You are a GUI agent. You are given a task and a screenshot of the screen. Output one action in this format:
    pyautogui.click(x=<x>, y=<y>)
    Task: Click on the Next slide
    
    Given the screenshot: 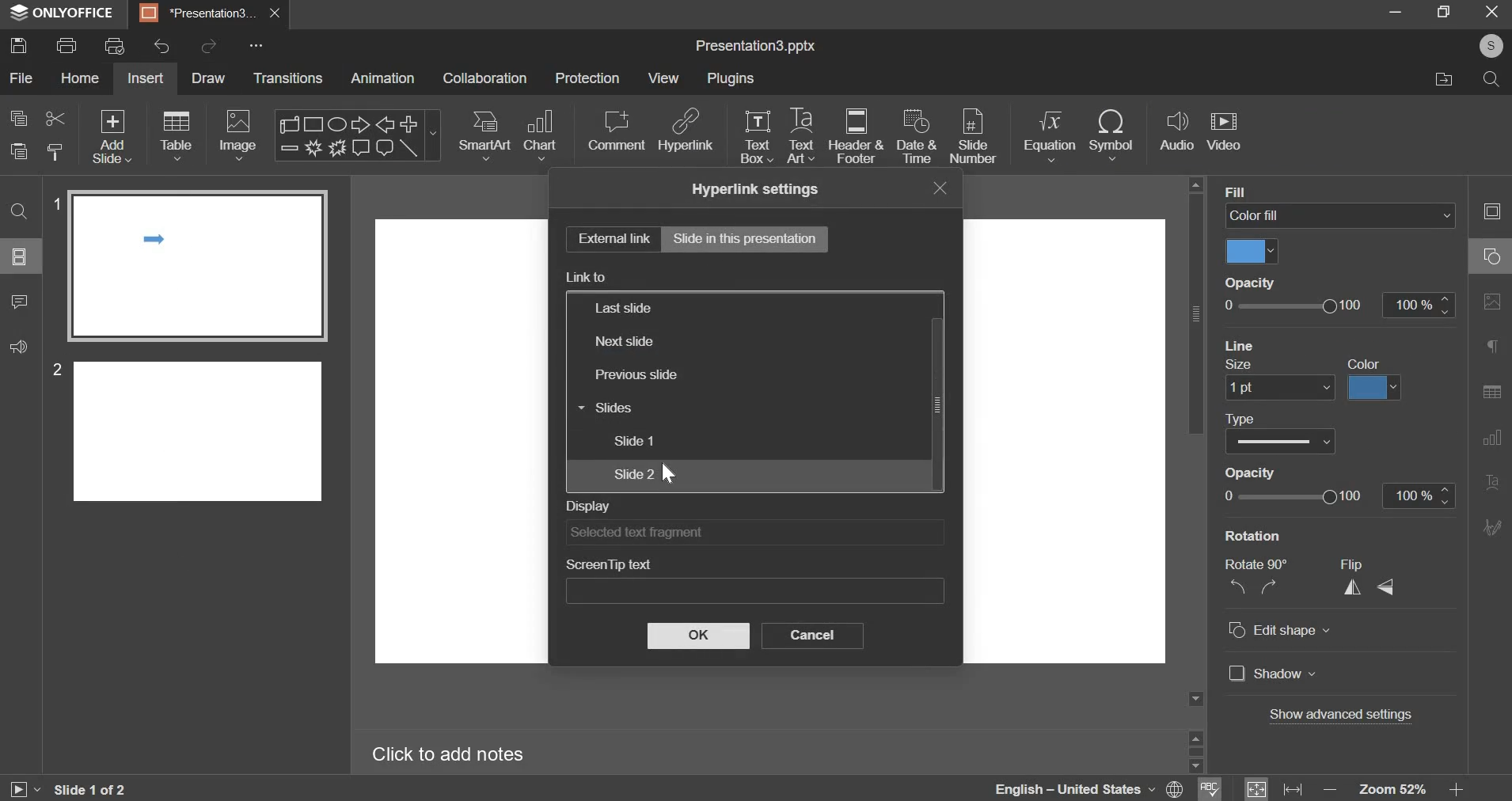 What is the action you would take?
    pyautogui.click(x=675, y=340)
    